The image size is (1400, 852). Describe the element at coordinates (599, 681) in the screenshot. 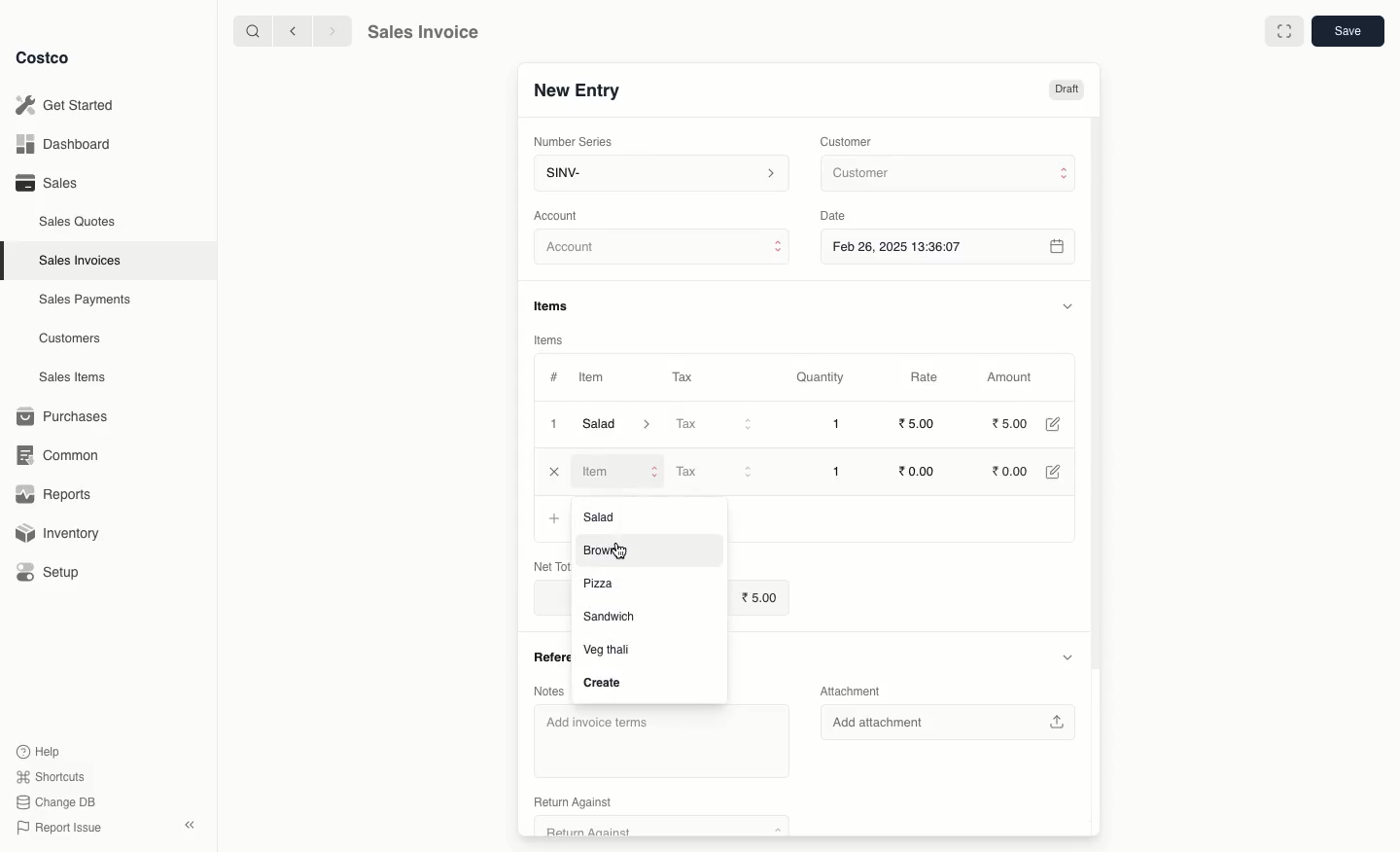

I see `Create` at that location.